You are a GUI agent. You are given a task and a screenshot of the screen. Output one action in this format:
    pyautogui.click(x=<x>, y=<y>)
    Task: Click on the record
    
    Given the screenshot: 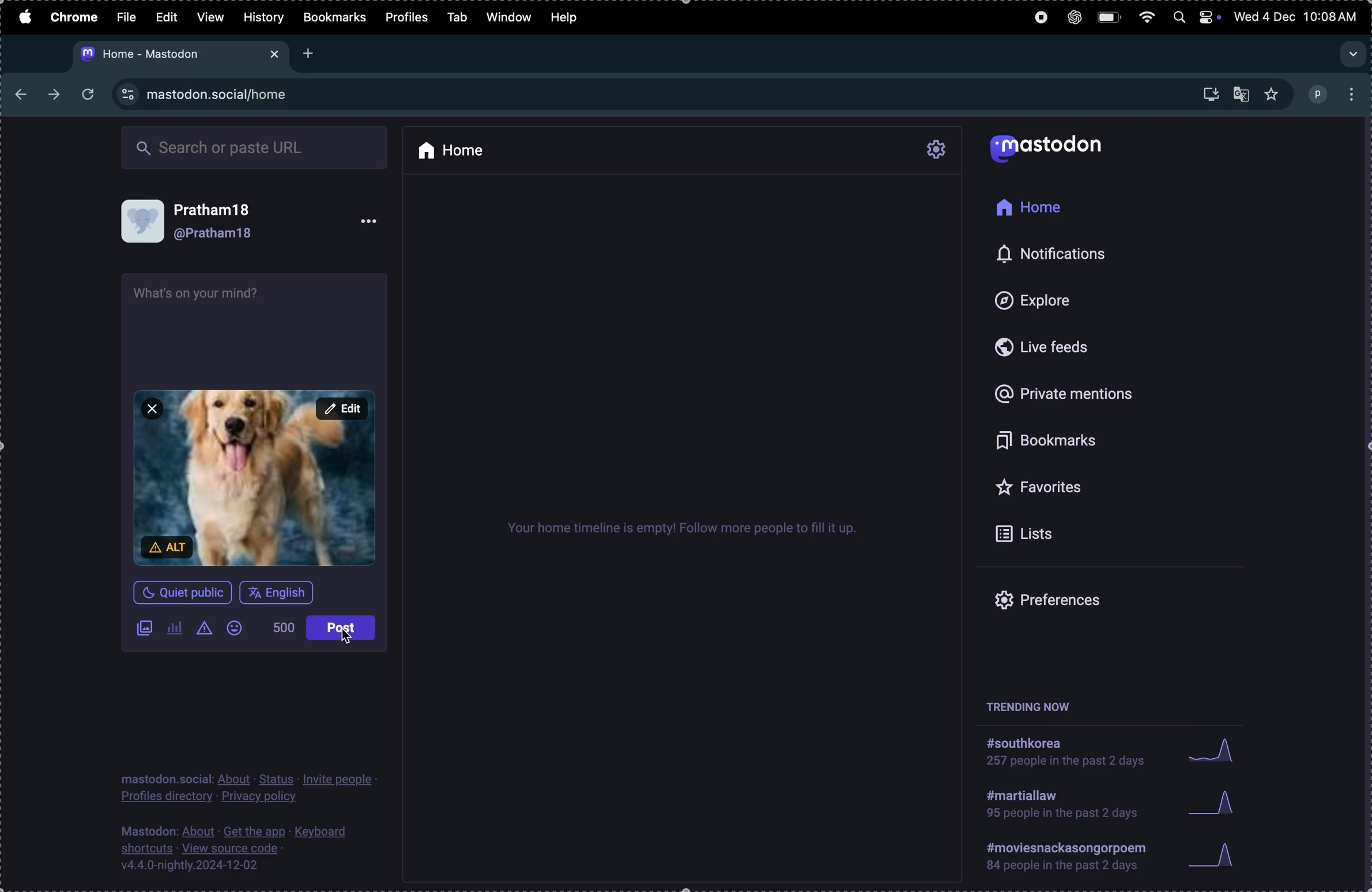 What is the action you would take?
    pyautogui.click(x=1036, y=20)
    